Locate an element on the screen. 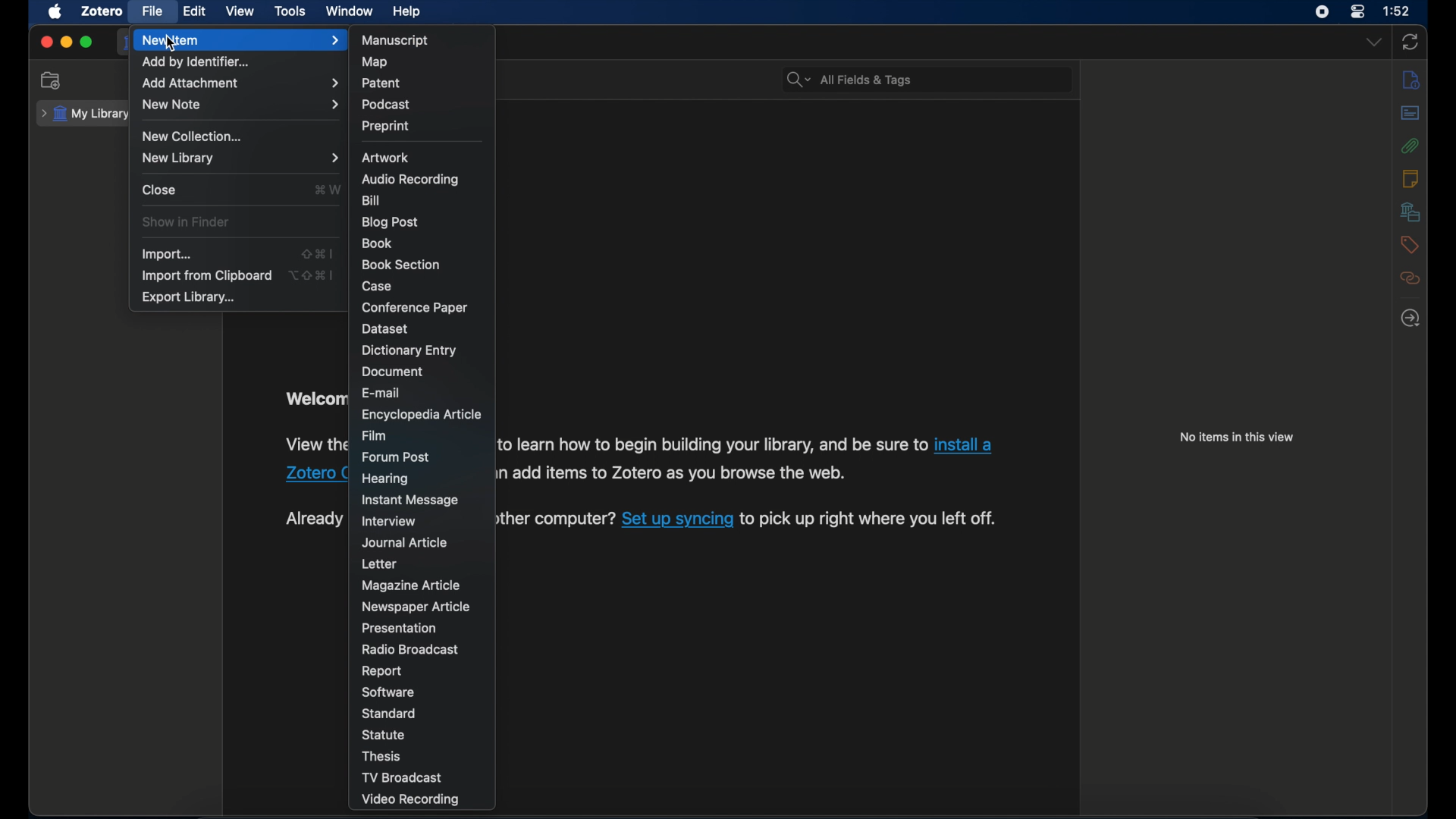  new item is located at coordinates (240, 40).